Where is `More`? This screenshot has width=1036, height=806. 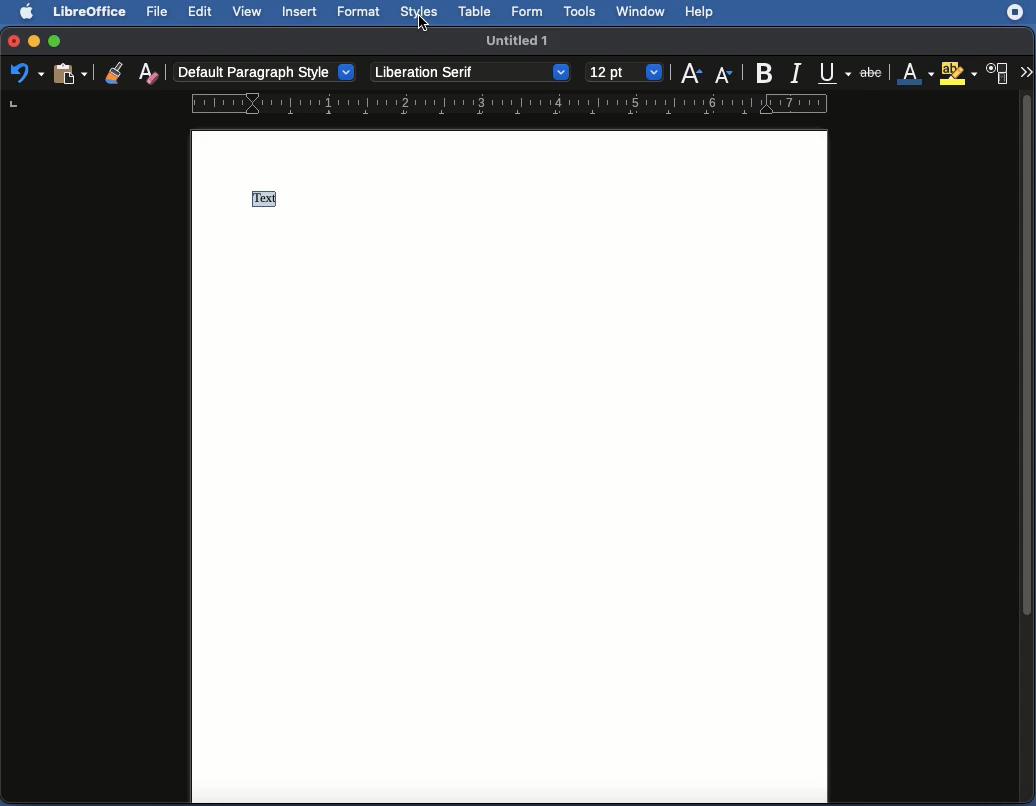 More is located at coordinates (1026, 73).